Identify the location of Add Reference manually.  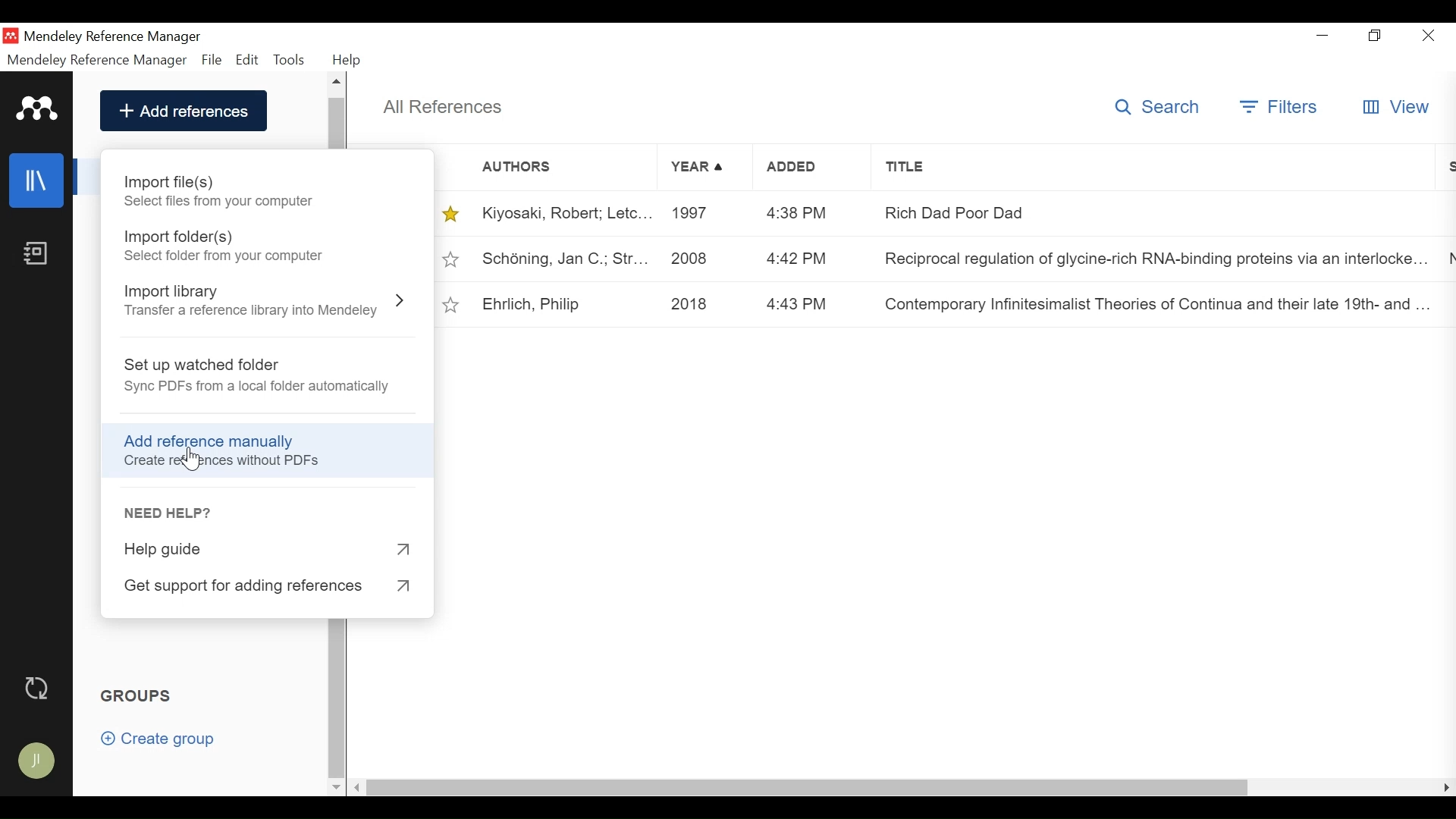
(217, 439).